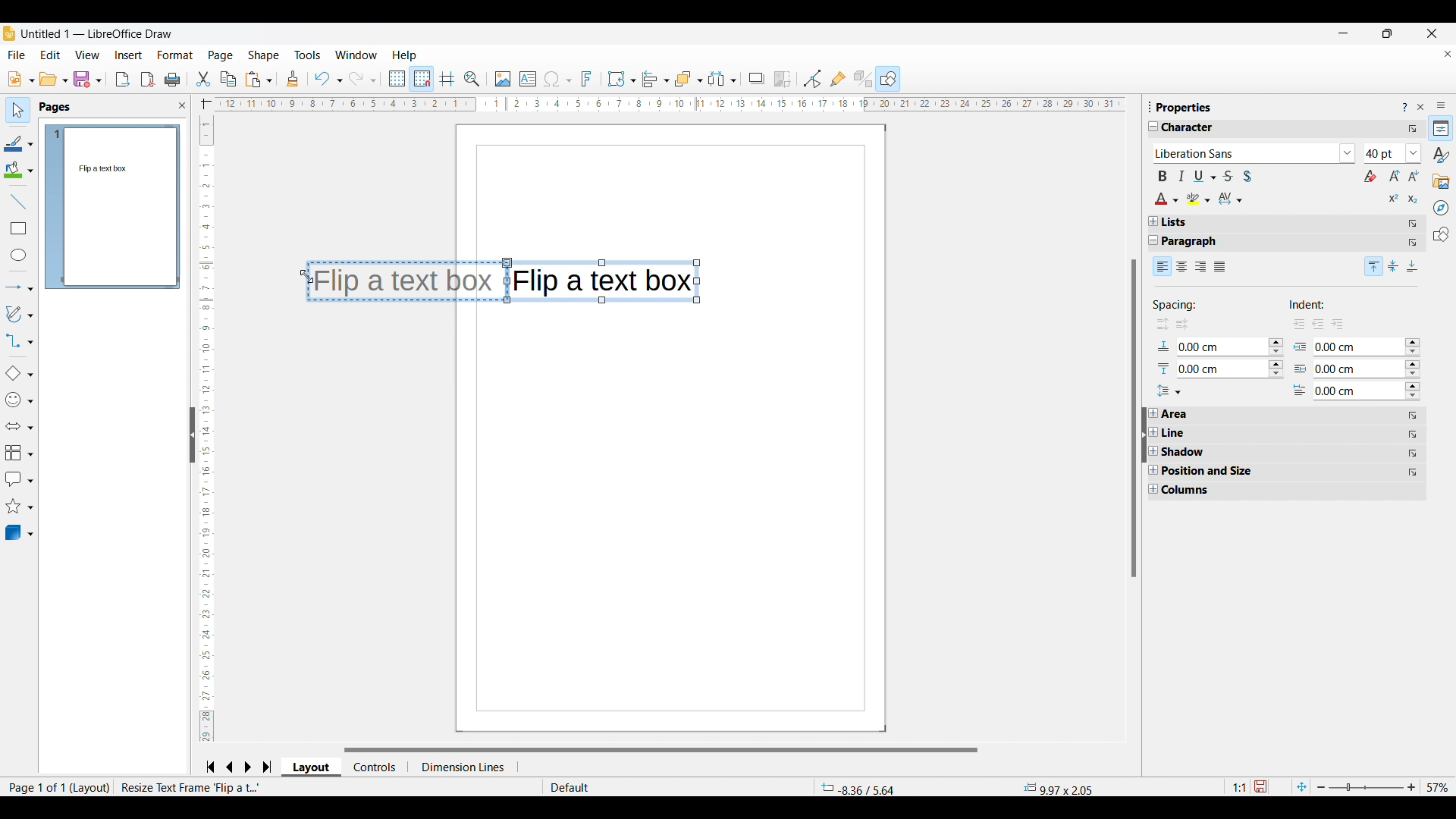 The width and height of the screenshot is (1456, 819). What do you see at coordinates (1442, 182) in the screenshot?
I see `Gallery` at bounding box center [1442, 182].